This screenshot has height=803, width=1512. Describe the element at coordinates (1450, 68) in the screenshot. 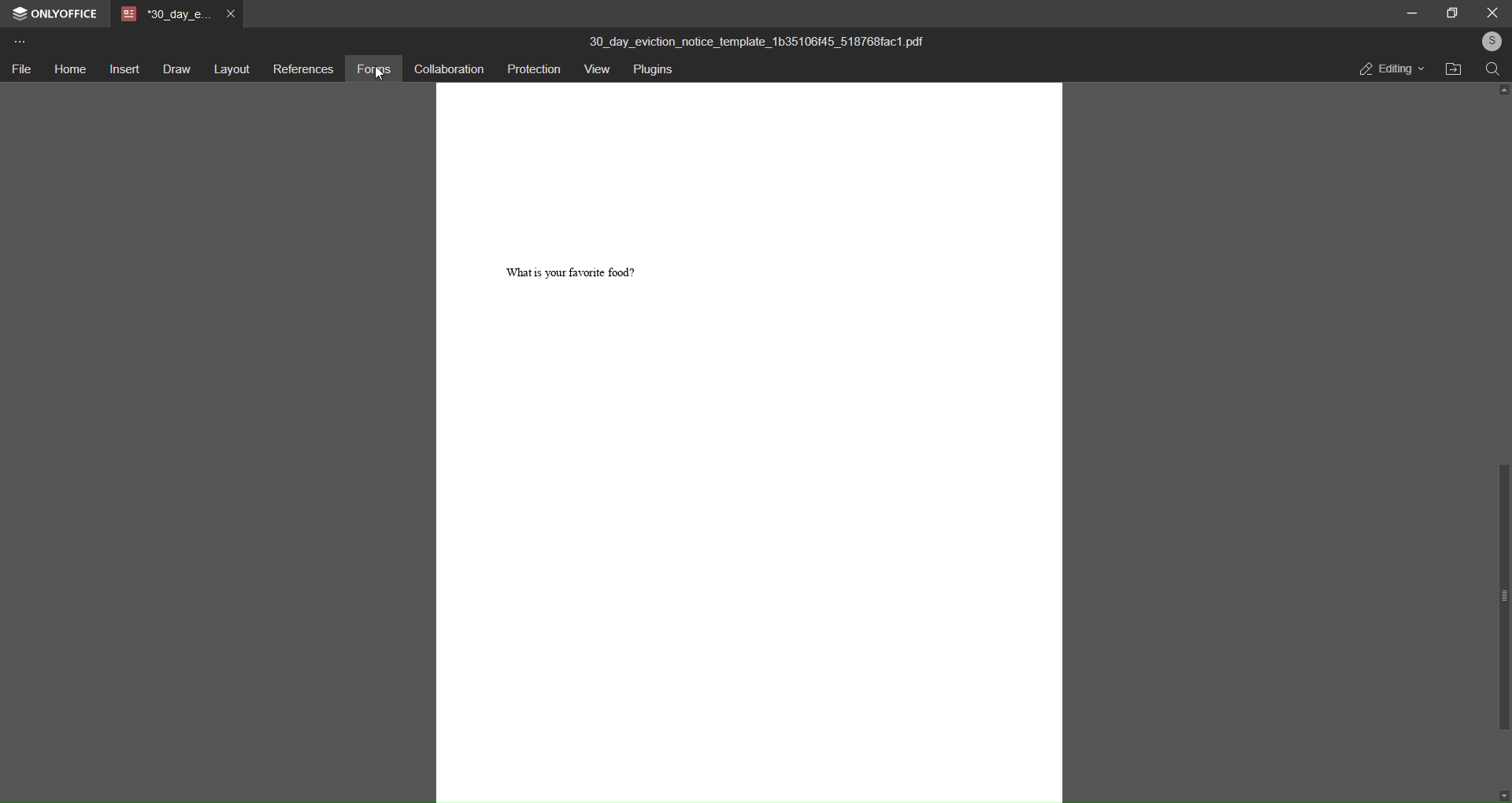

I see `open file location` at that location.